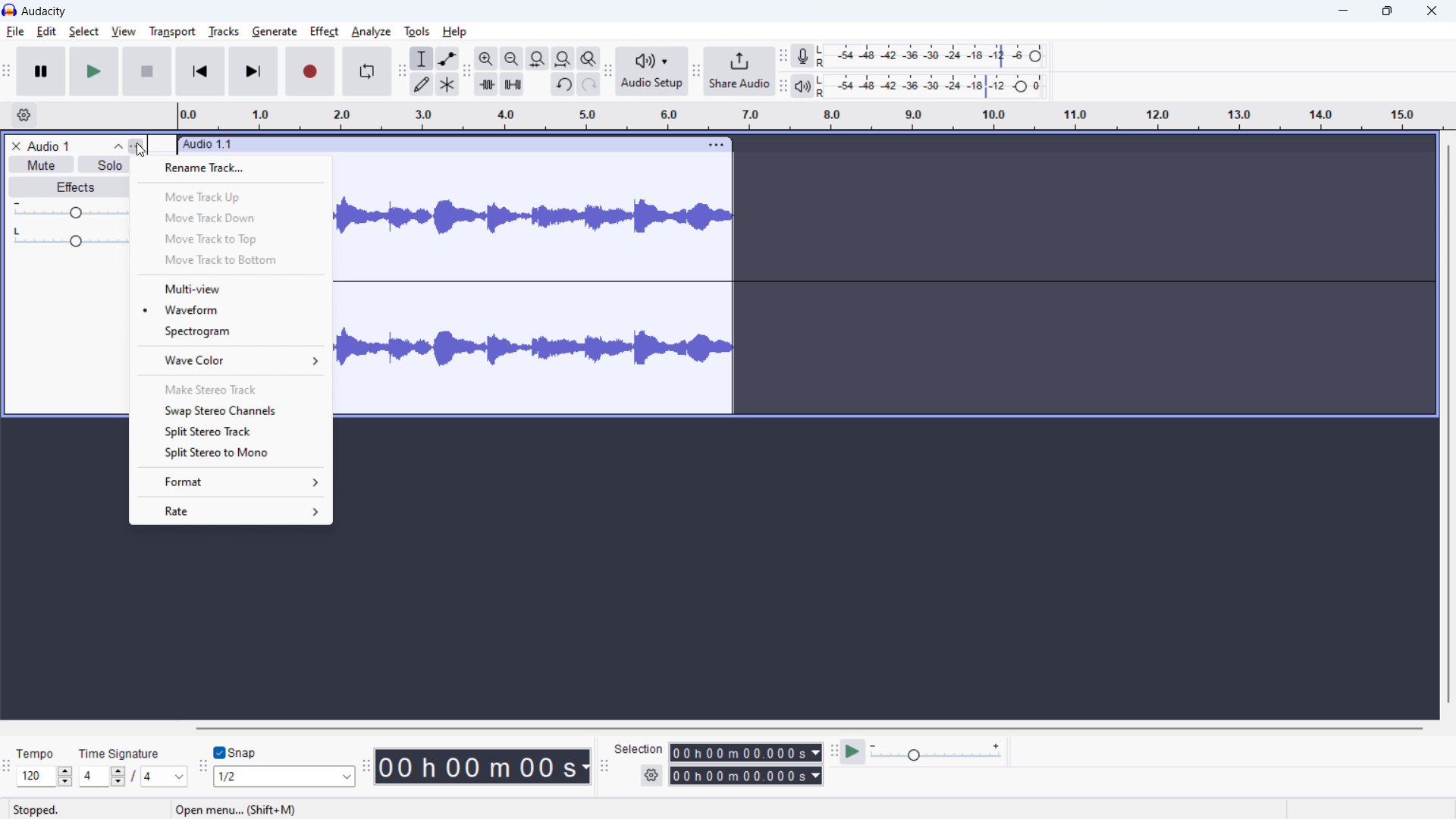 This screenshot has width=1456, height=819. I want to click on draw tool, so click(421, 83).